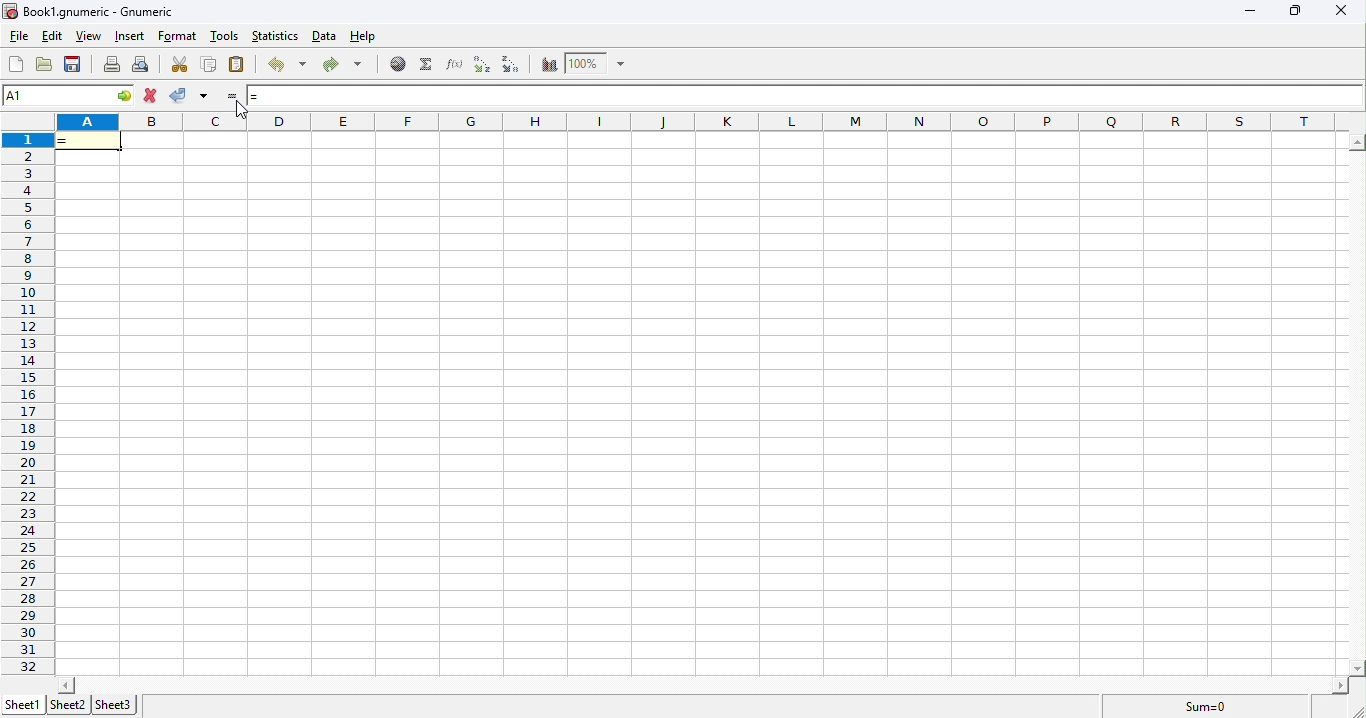  I want to click on maximize, so click(1294, 11).